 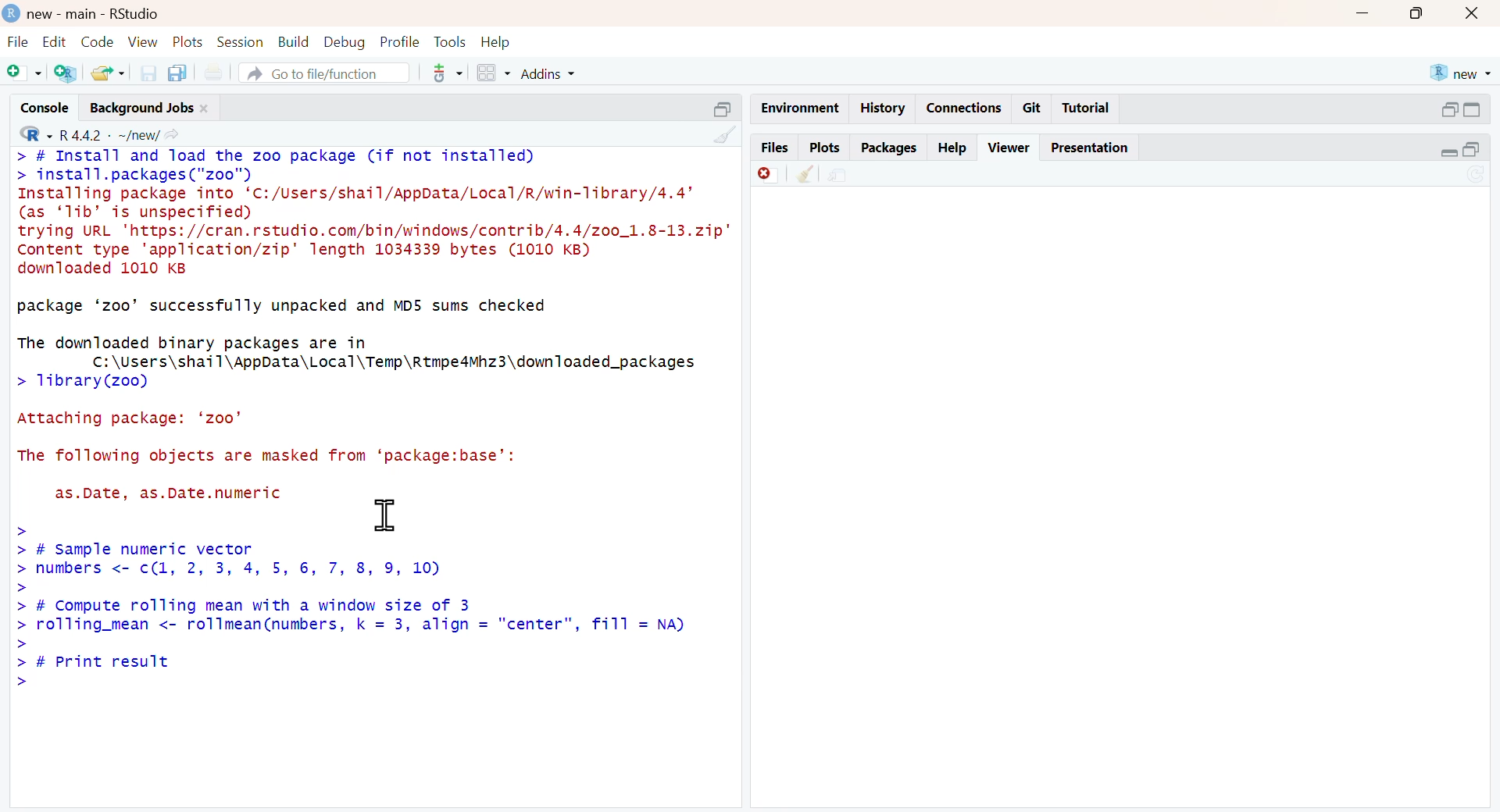 I want to click on Presentation, so click(x=1090, y=148).